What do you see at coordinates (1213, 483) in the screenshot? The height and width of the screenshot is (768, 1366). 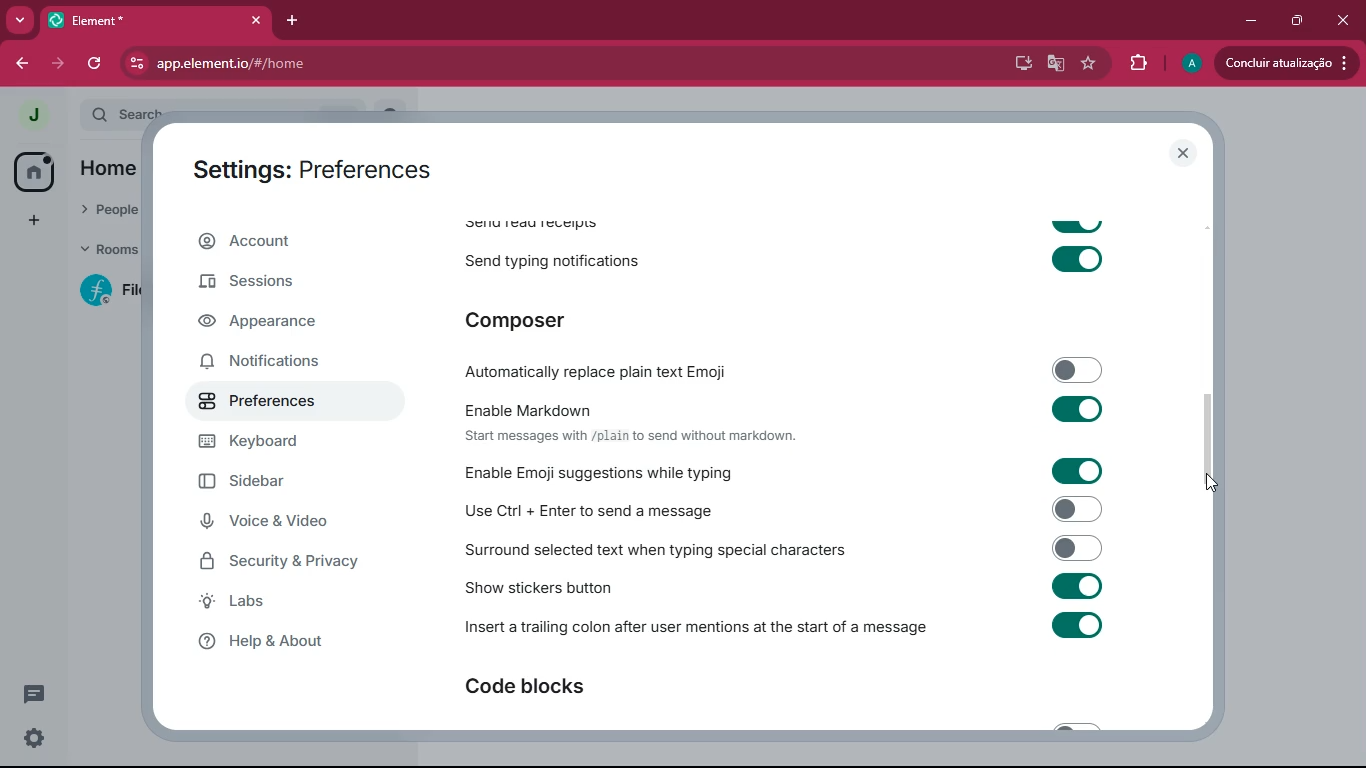 I see `cursor` at bounding box center [1213, 483].